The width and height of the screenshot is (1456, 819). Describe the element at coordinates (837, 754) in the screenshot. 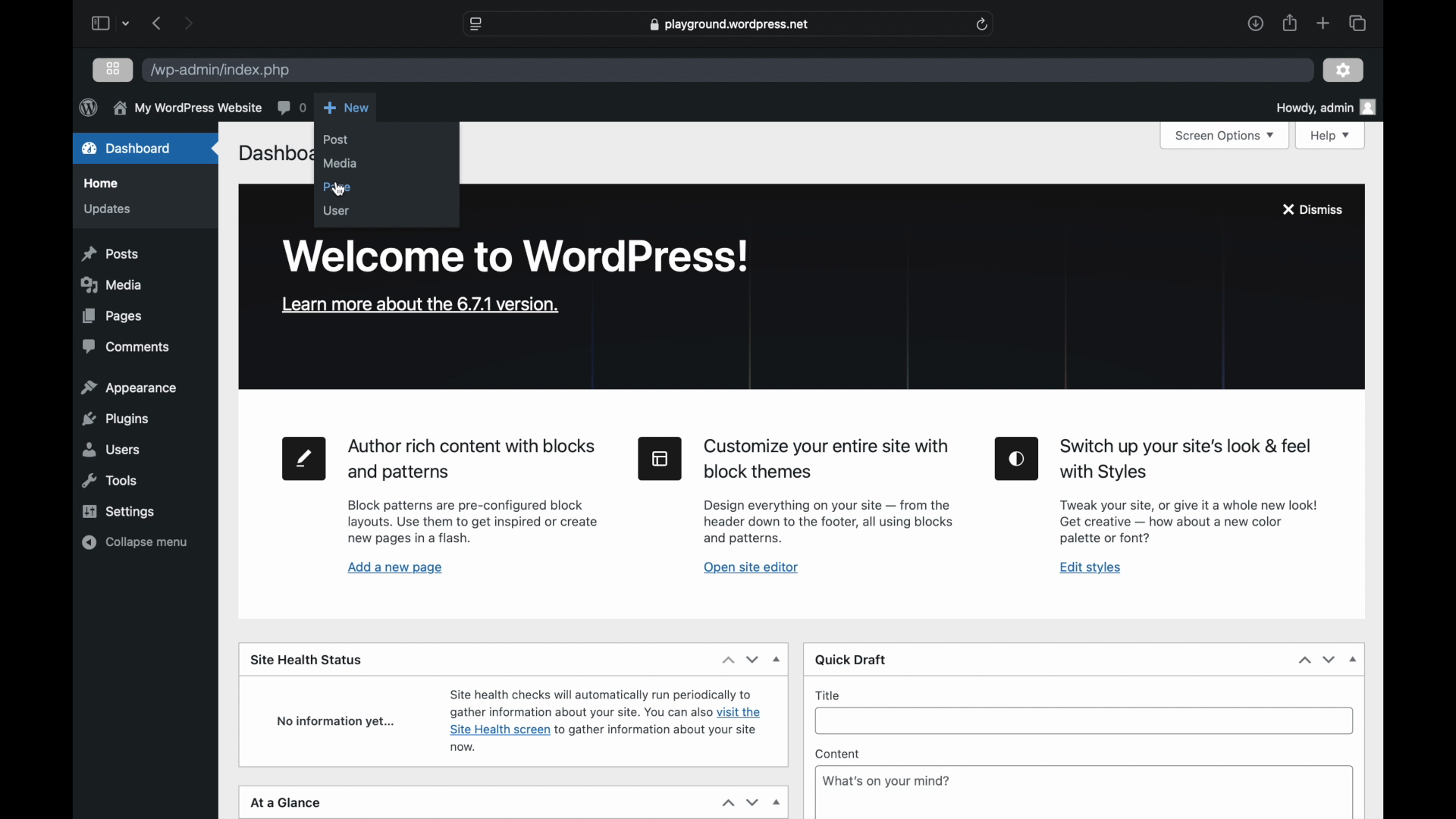

I see `content` at that location.